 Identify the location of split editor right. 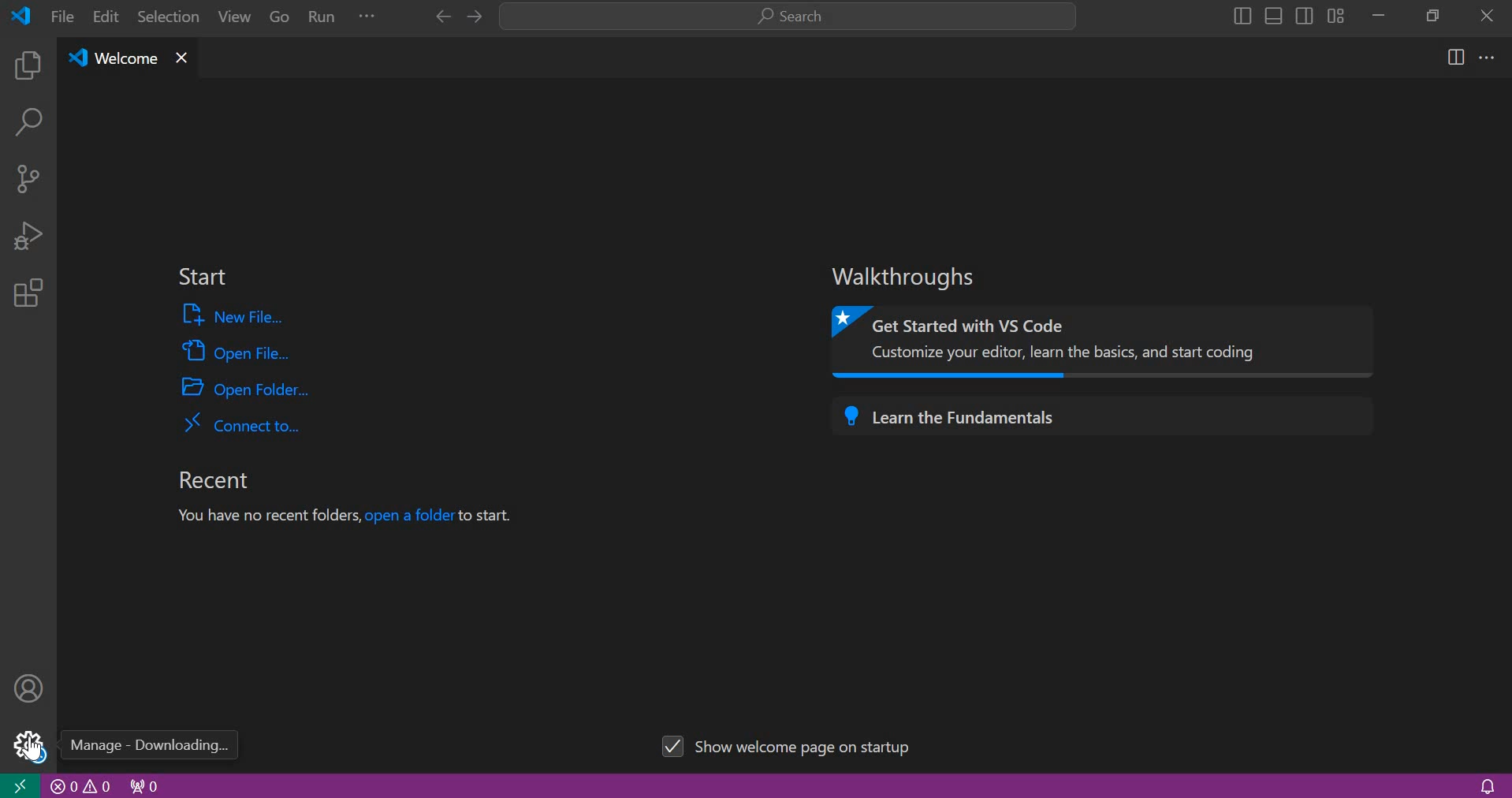
(1457, 57).